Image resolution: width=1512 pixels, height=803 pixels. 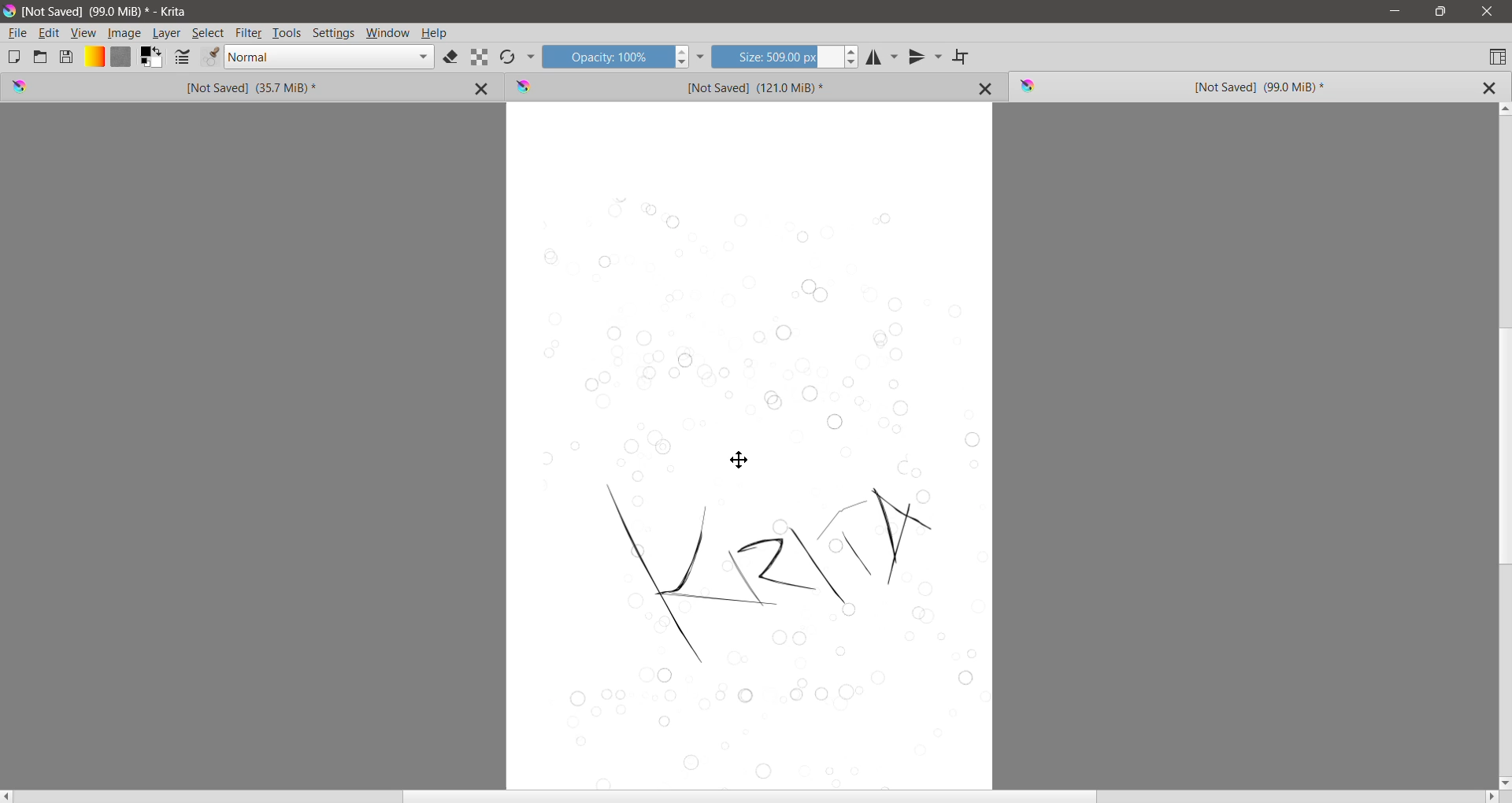 I want to click on Fill Gradients, so click(x=94, y=57).